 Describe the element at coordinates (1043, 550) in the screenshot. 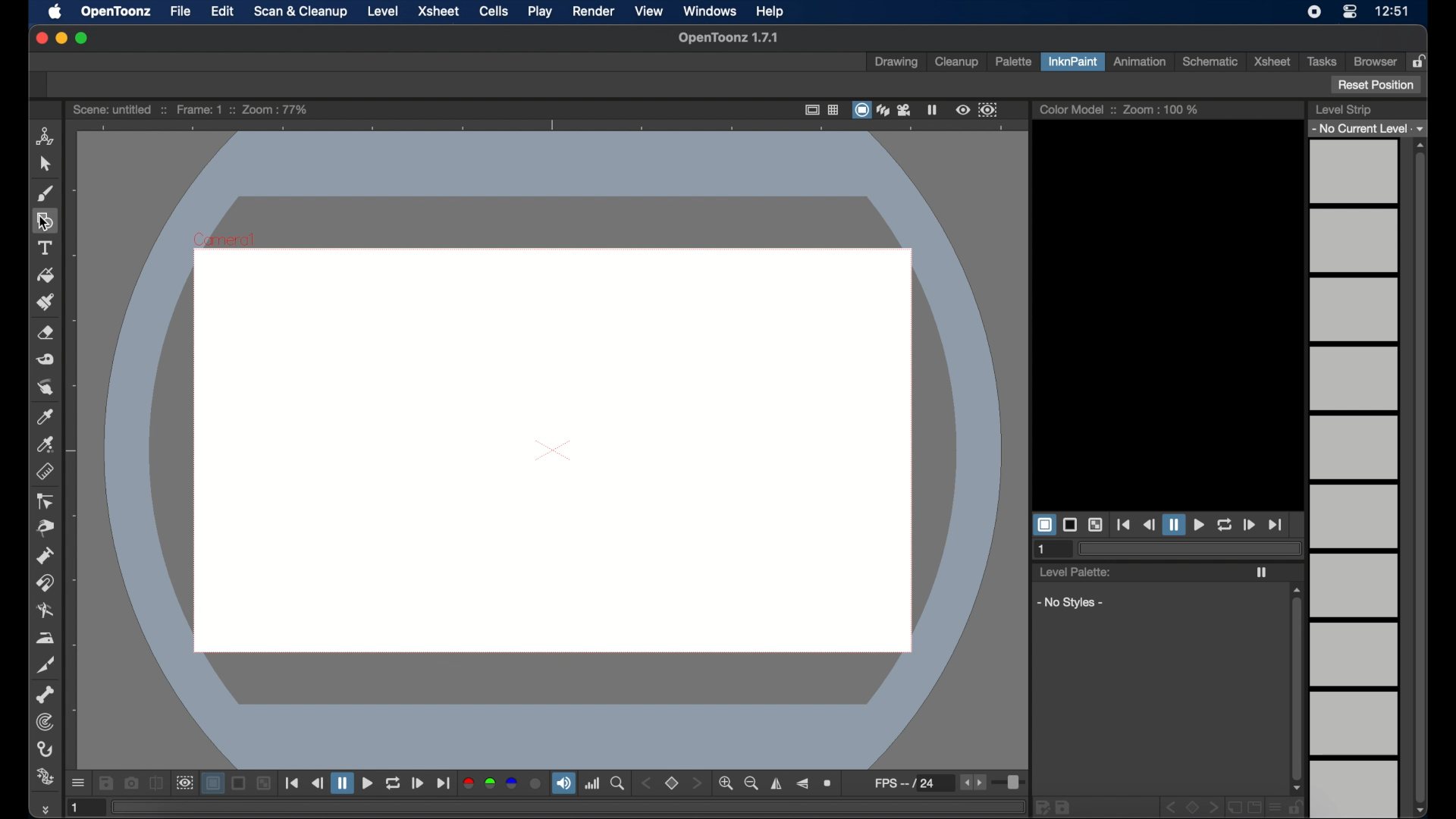

I see `1` at that location.